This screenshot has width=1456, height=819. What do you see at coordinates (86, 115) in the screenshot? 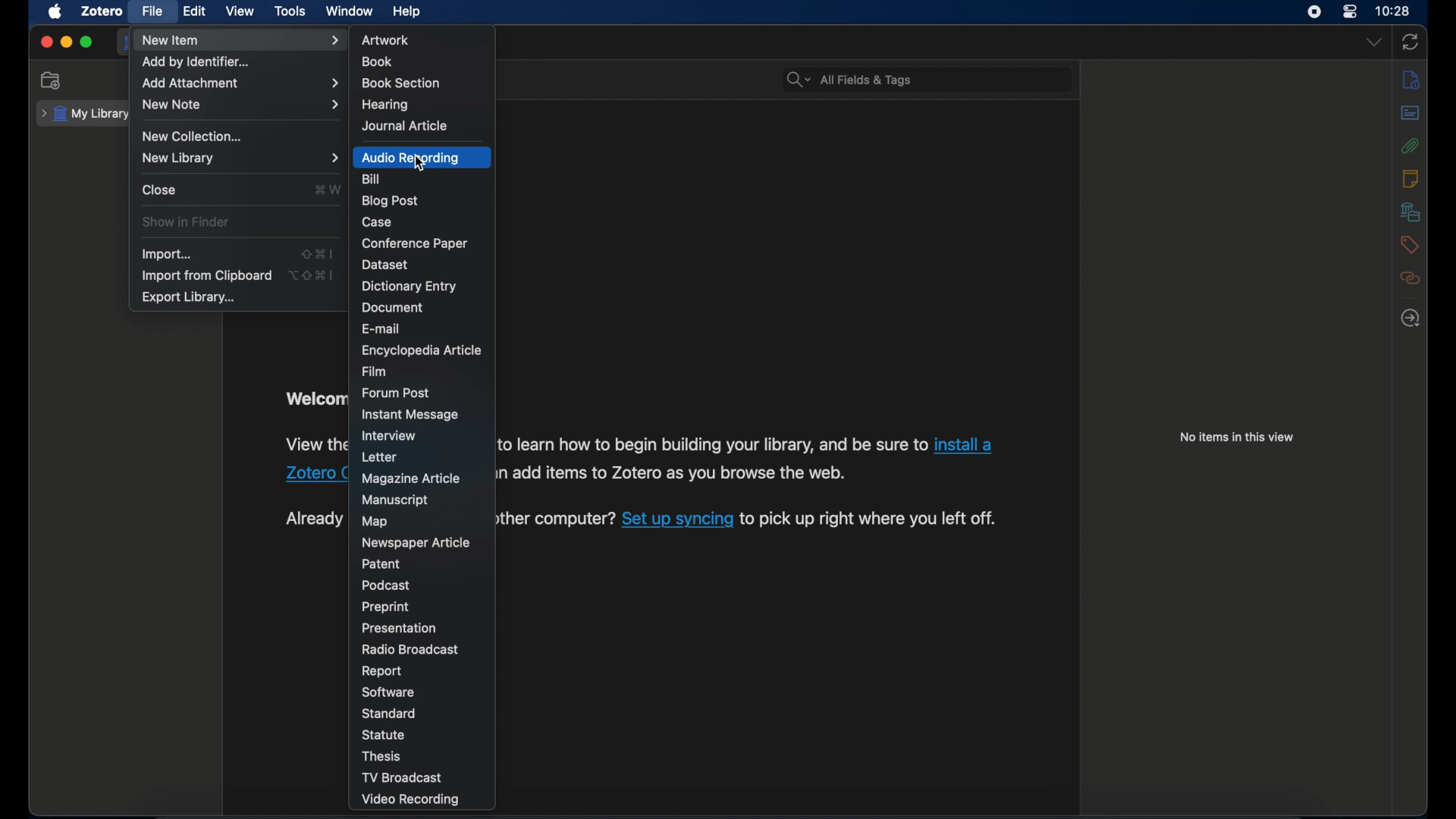
I see `my library` at bounding box center [86, 115].